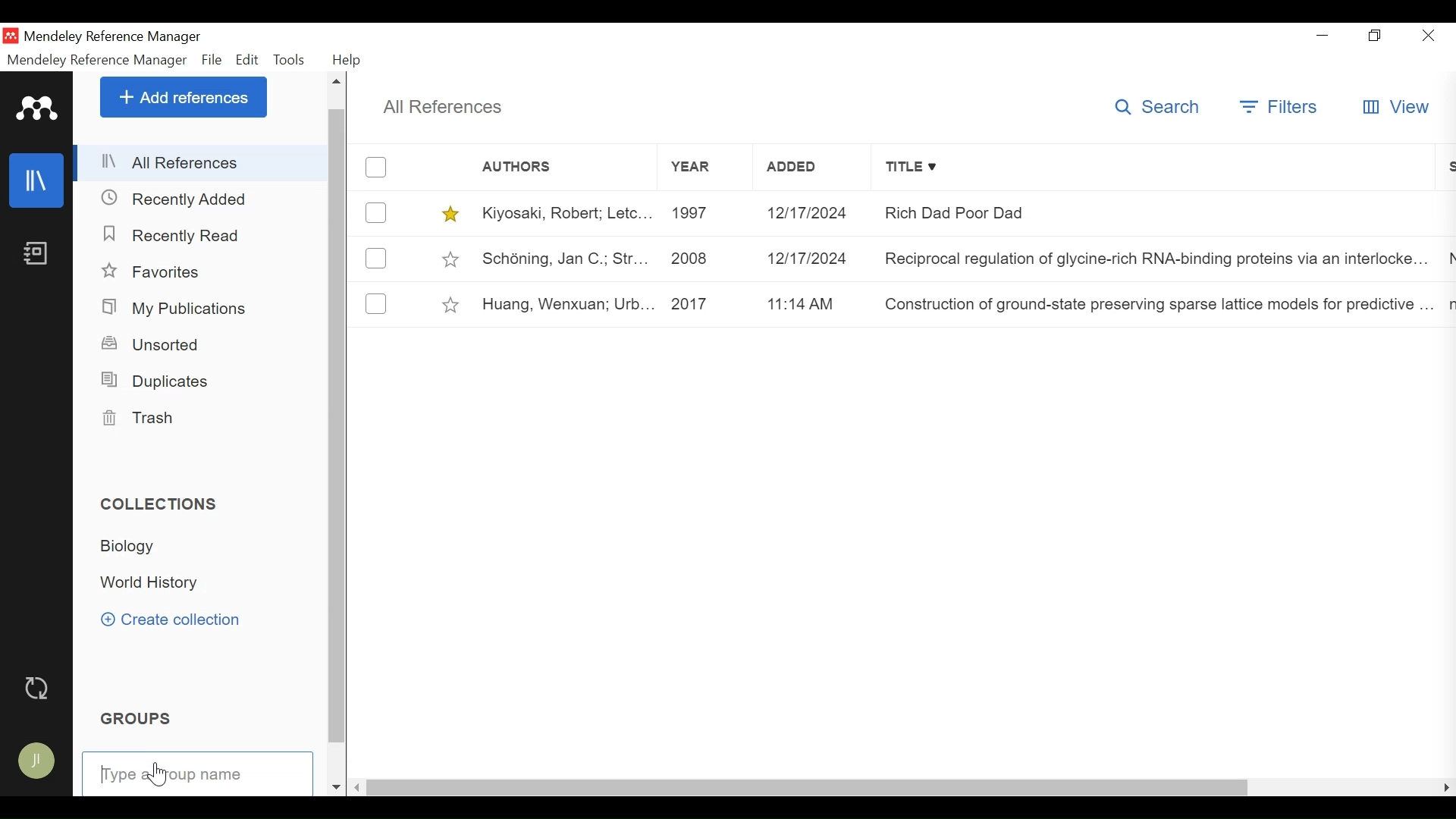 The height and width of the screenshot is (819, 1456). What do you see at coordinates (212, 60) in the screenshot?
I see `File` at bounding box center [212, 60].